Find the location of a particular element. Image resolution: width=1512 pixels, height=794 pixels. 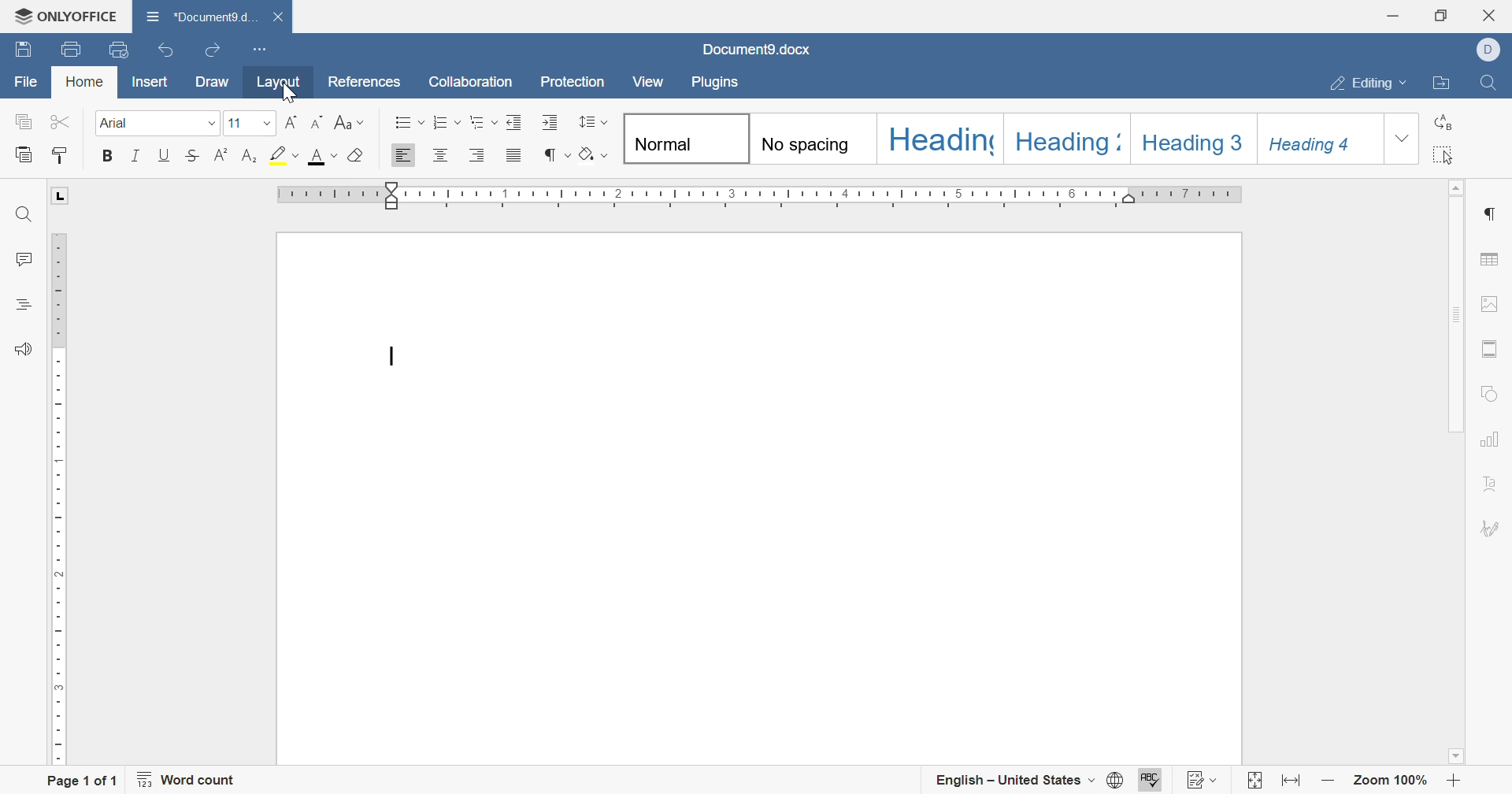

copy is located at coordinates (24, 121).